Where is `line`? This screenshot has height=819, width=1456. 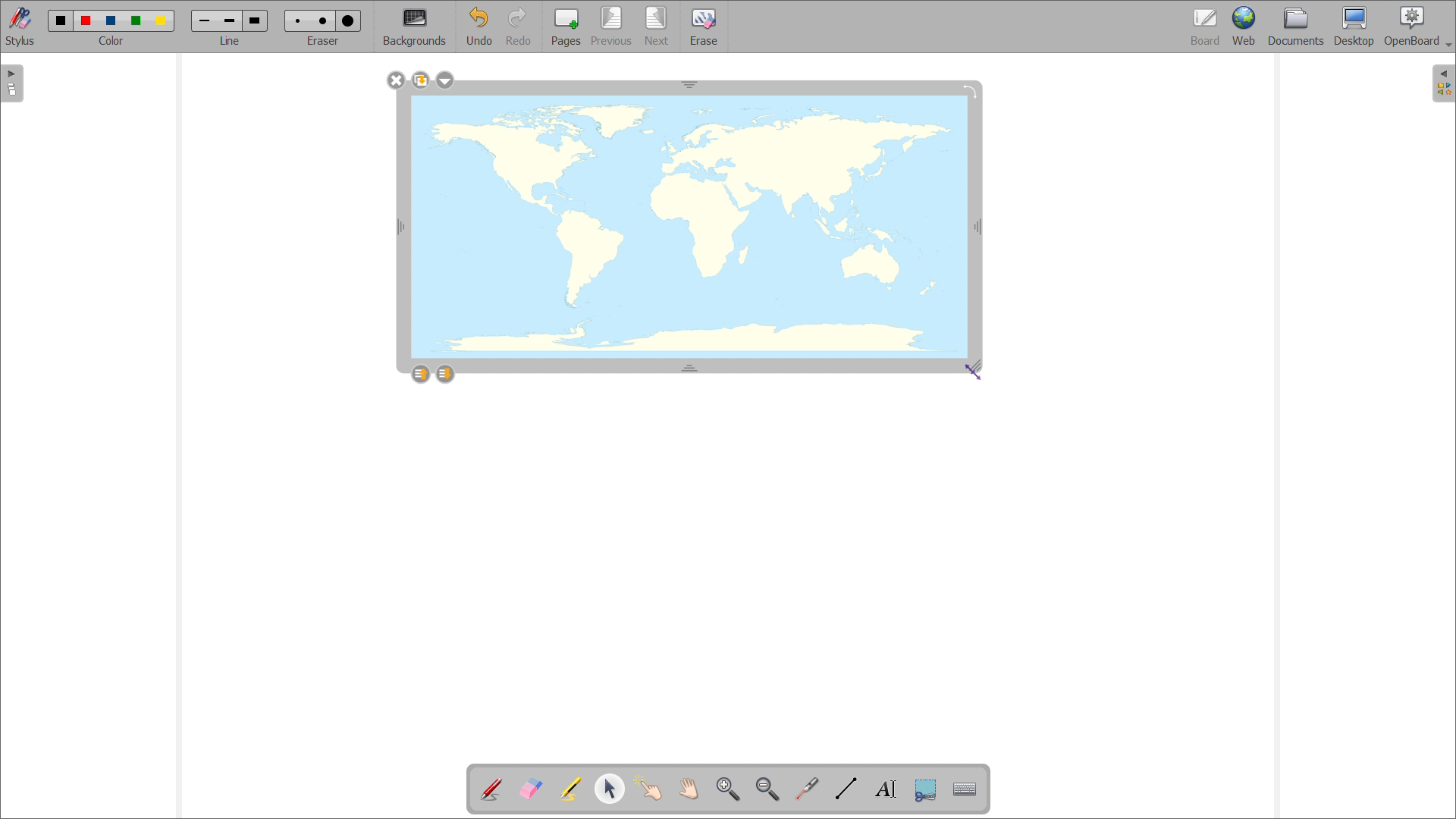
line is located at coordinates (230, 42).